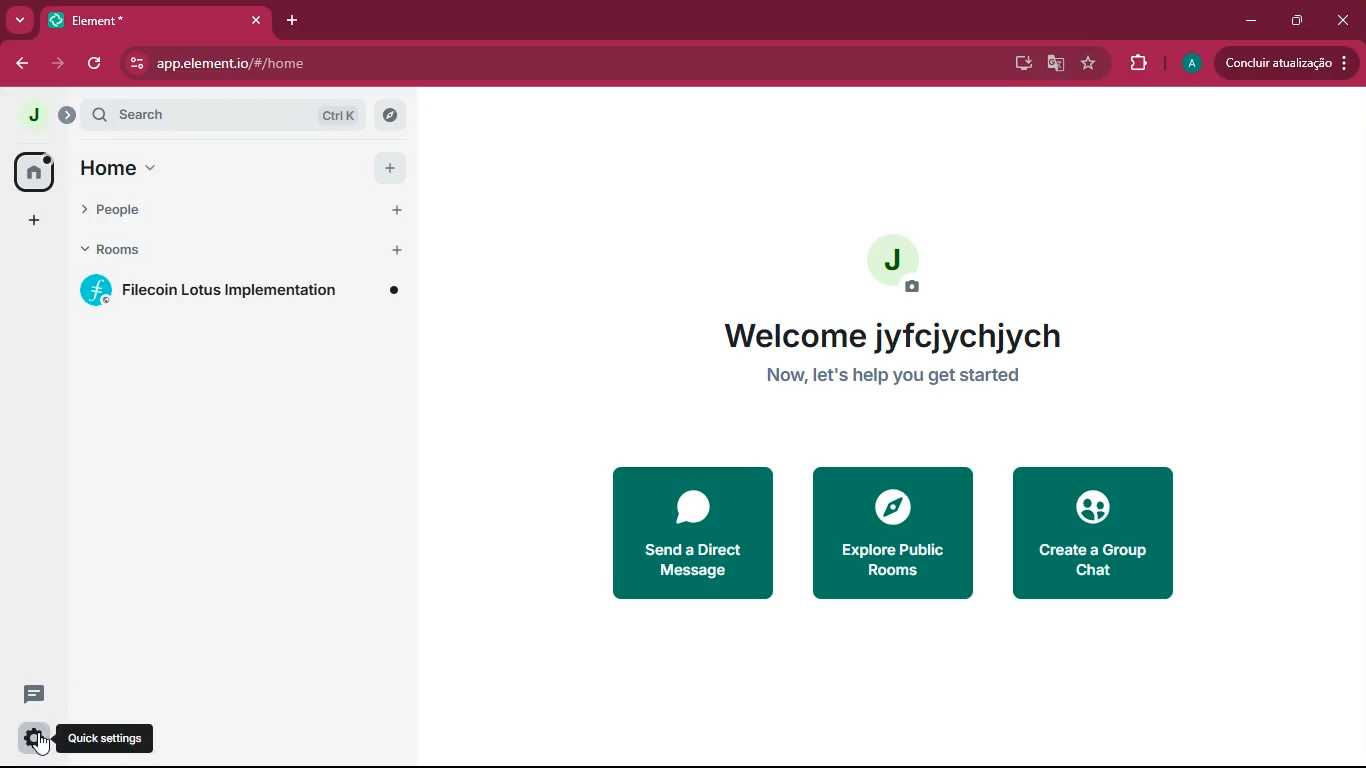 The width and height of the screenshot is (1366, 768). Describe the element at coordinates (1293, 21) in the screenshot. I see `maximize` at that location.